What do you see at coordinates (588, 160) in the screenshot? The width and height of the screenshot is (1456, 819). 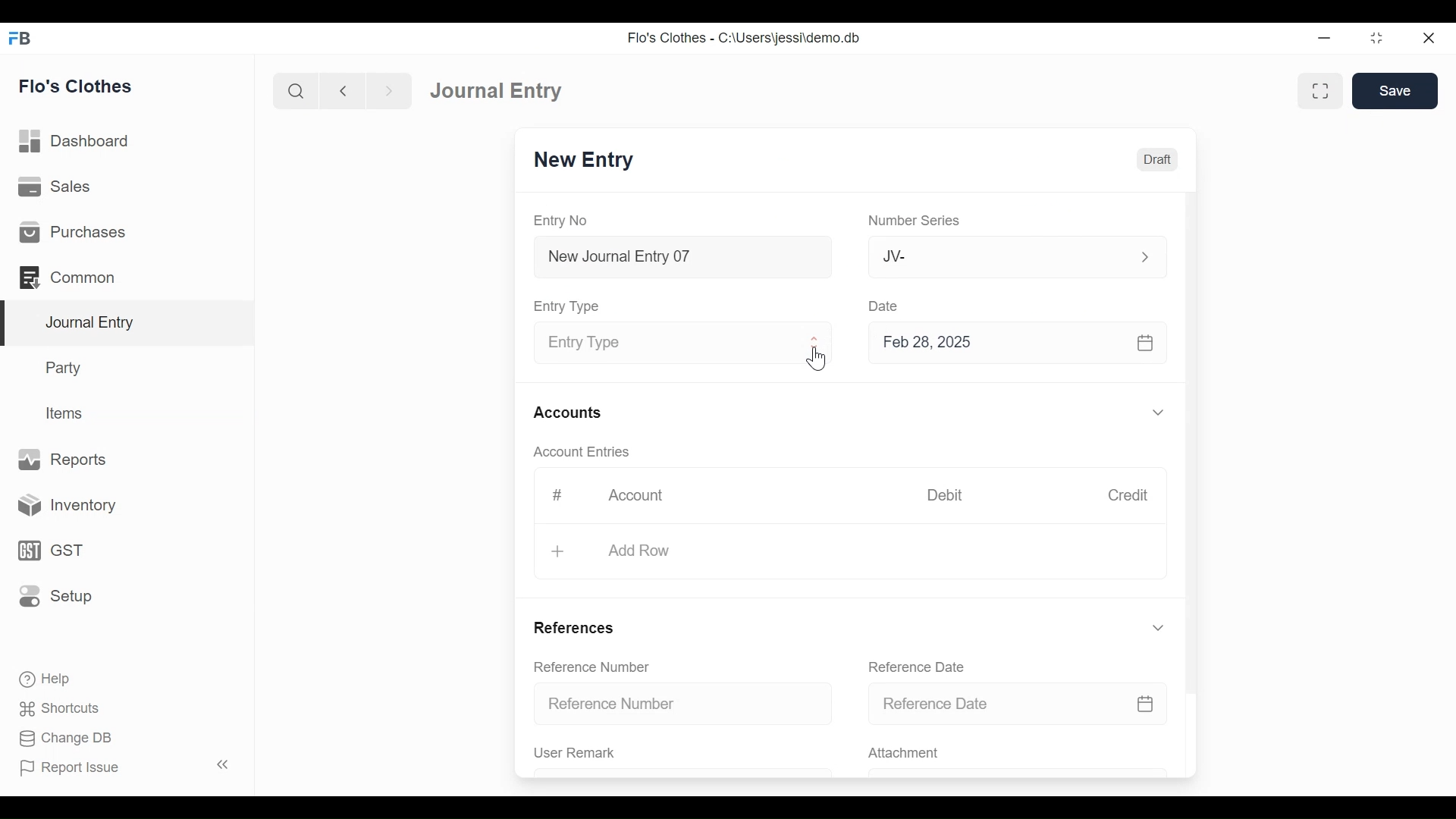 I see `New Entry` at bounding box center [588, 160].